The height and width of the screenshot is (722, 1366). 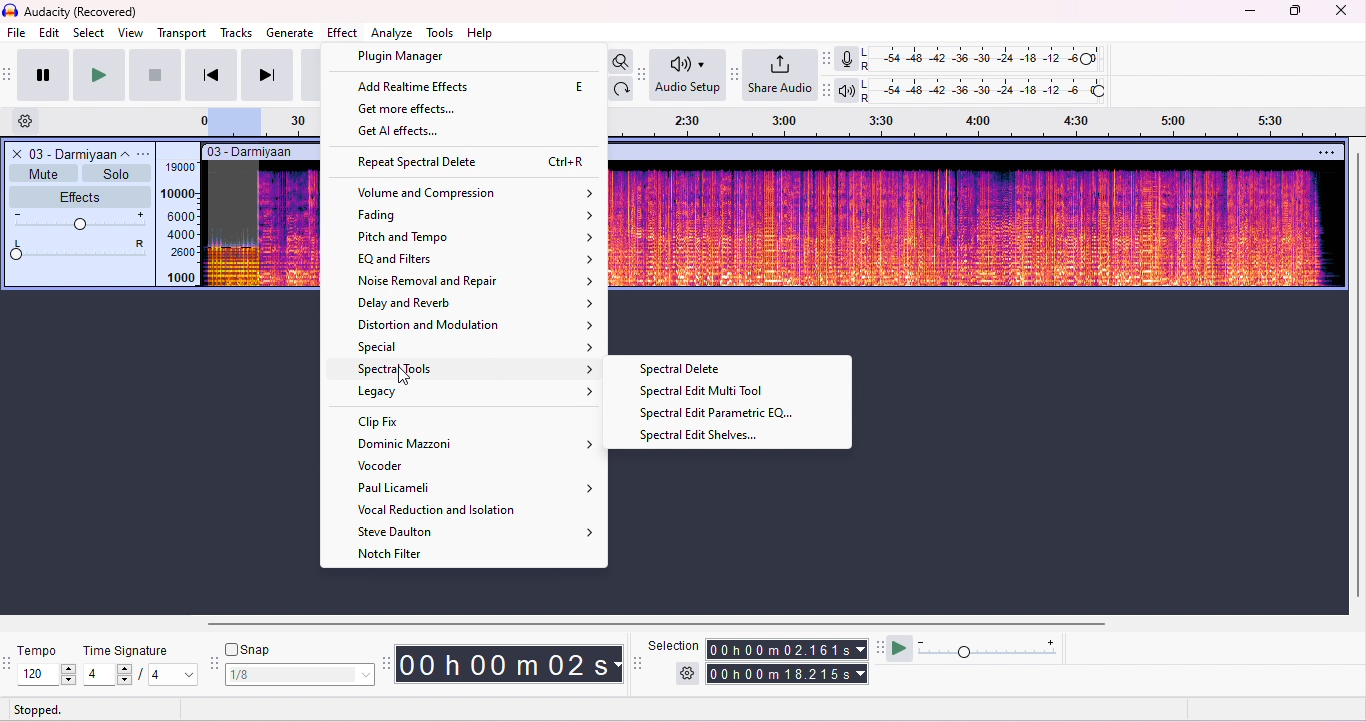 What do you see at coordinates (480, 215) in the screenshot?
I see `fading` at bounding box center [480, 215].